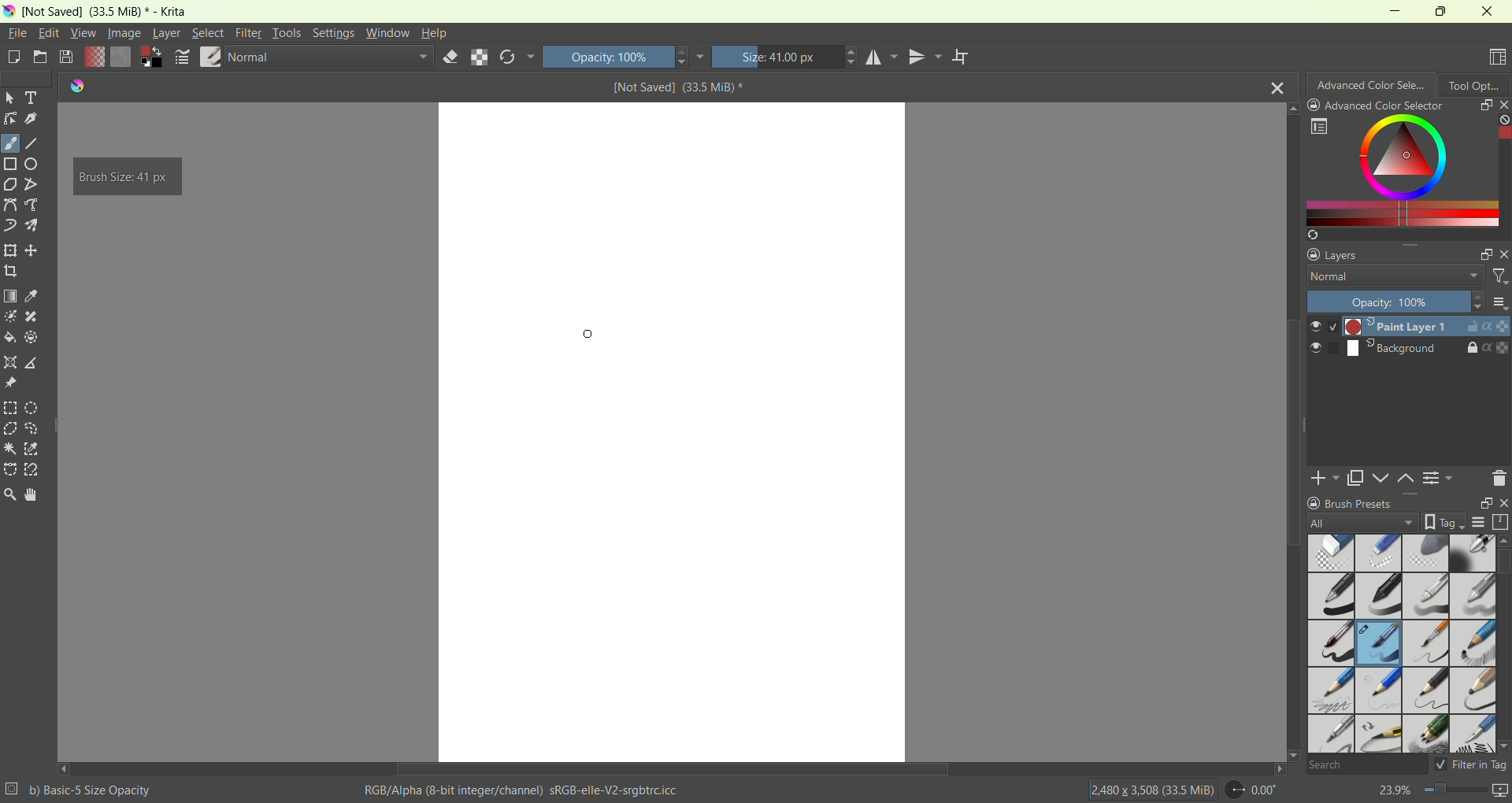  What do you see at coordinates (10, 428) in the screenshot?
I see `polygonal selection` at bounding box center [10, 428].